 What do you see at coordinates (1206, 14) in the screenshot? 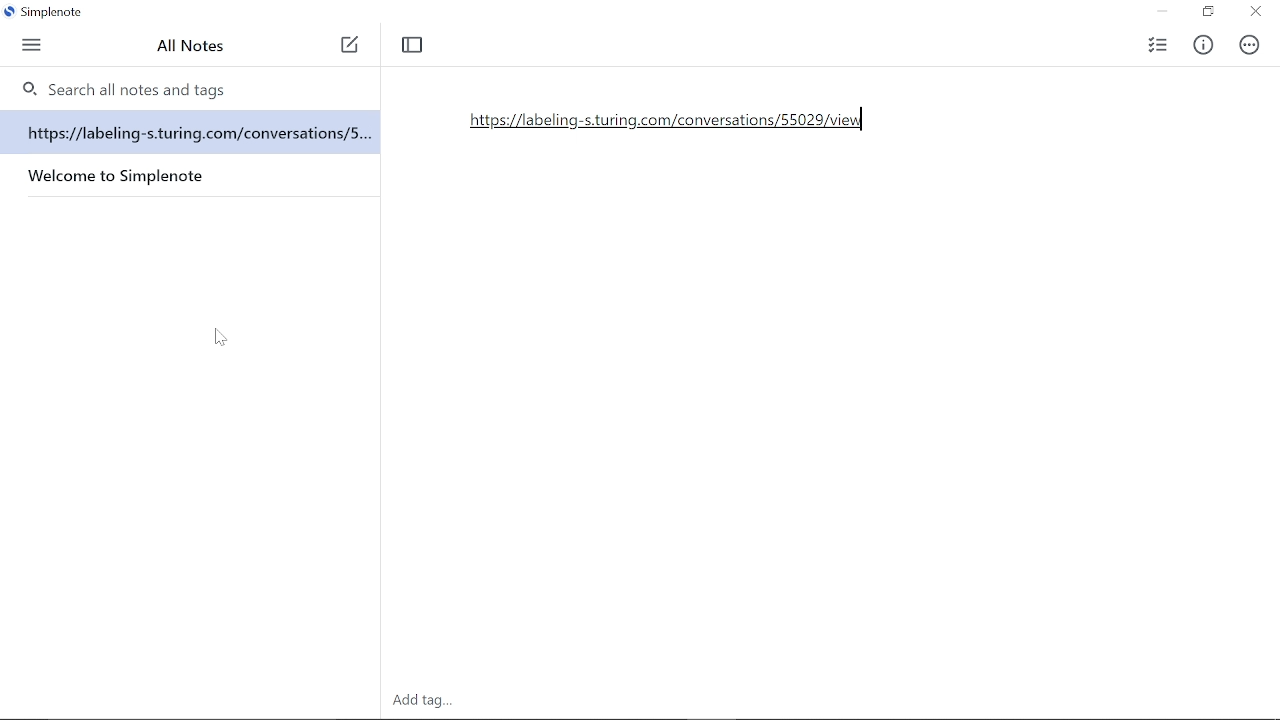
I see `Restore down` at bounding box center [1206, 14].